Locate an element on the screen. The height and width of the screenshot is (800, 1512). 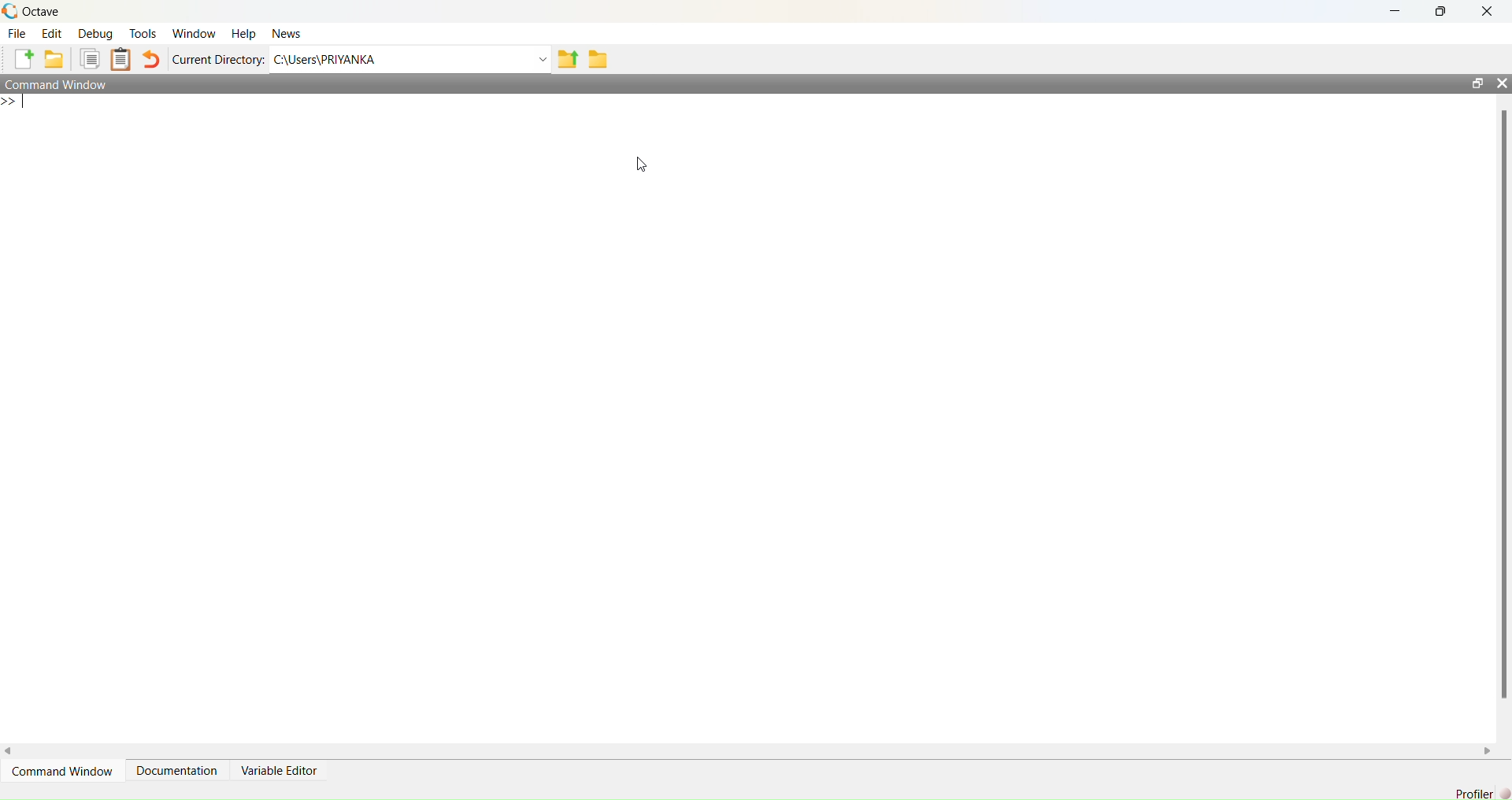
news is located at coordinates (287, 34).